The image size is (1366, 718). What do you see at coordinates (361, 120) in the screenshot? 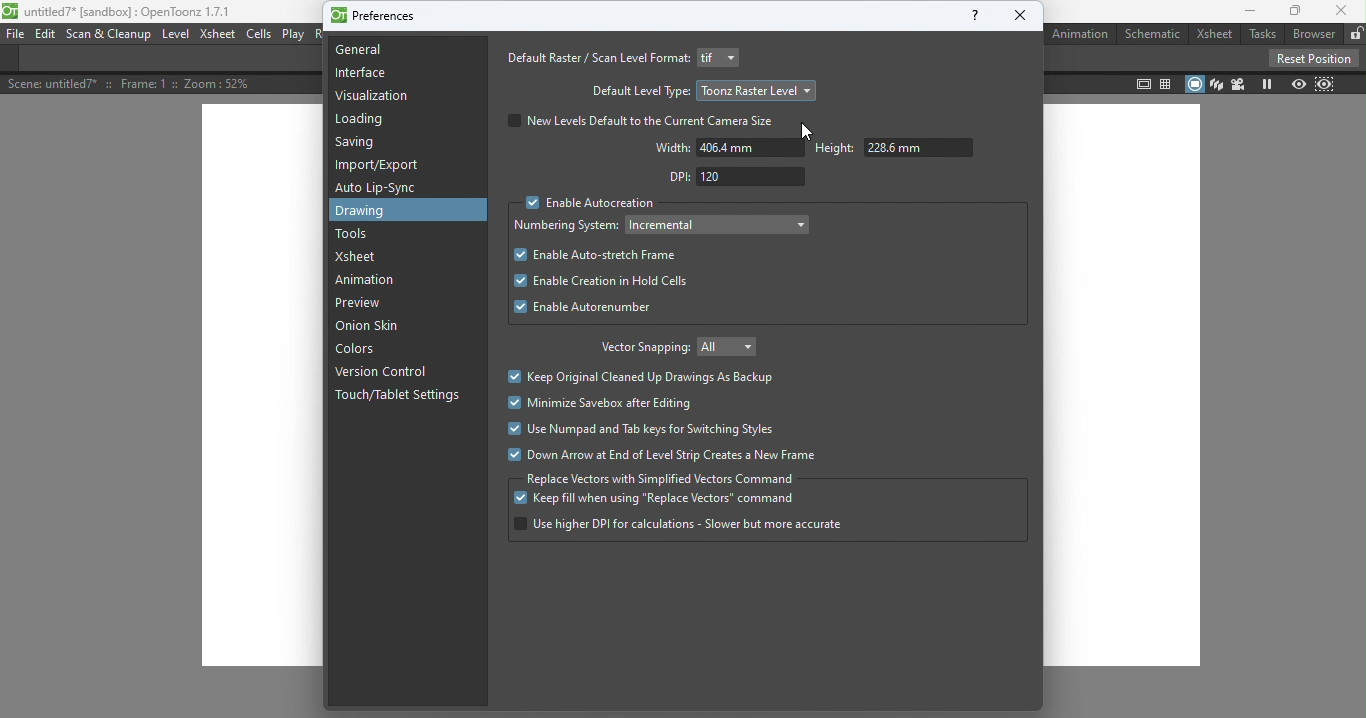
I see `Loading` at bounding box center [361, 120].